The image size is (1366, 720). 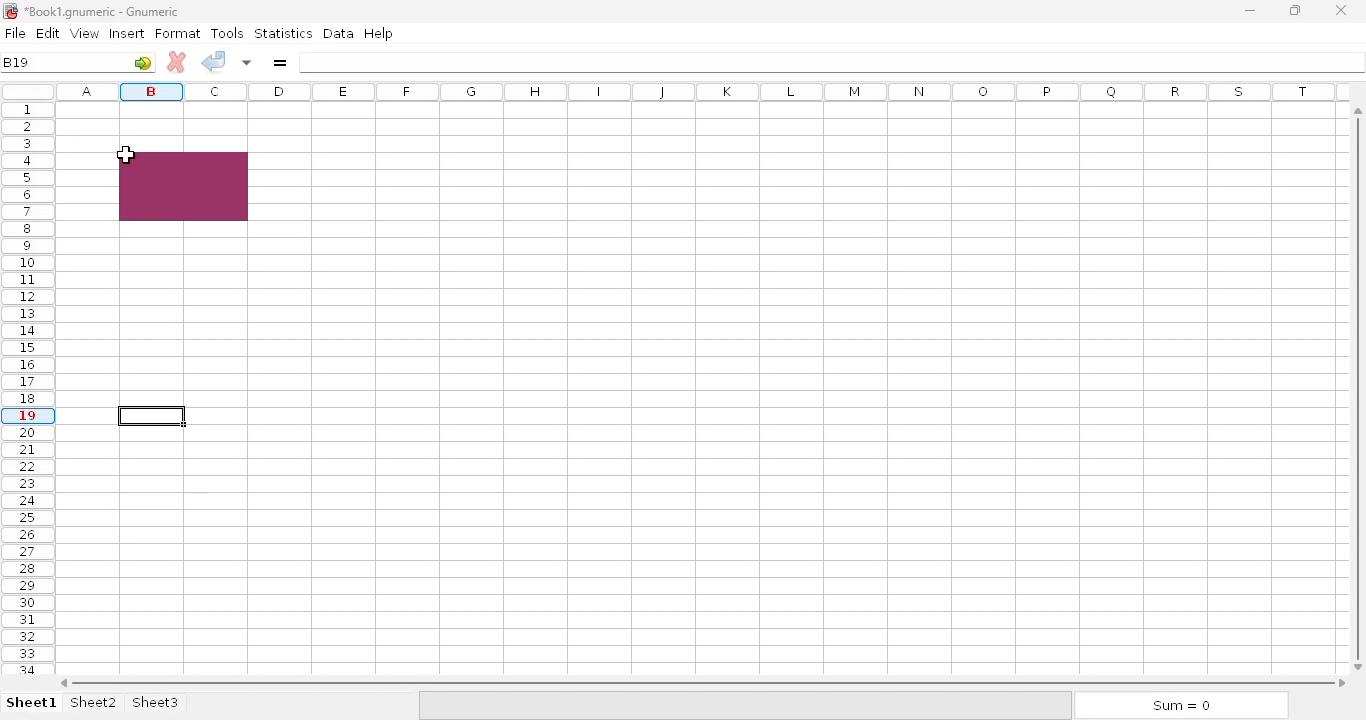 What do you see at coordinates (1179, 706) in the screenshot?
I see `sum = 0` at bounding box center [1179, 706].